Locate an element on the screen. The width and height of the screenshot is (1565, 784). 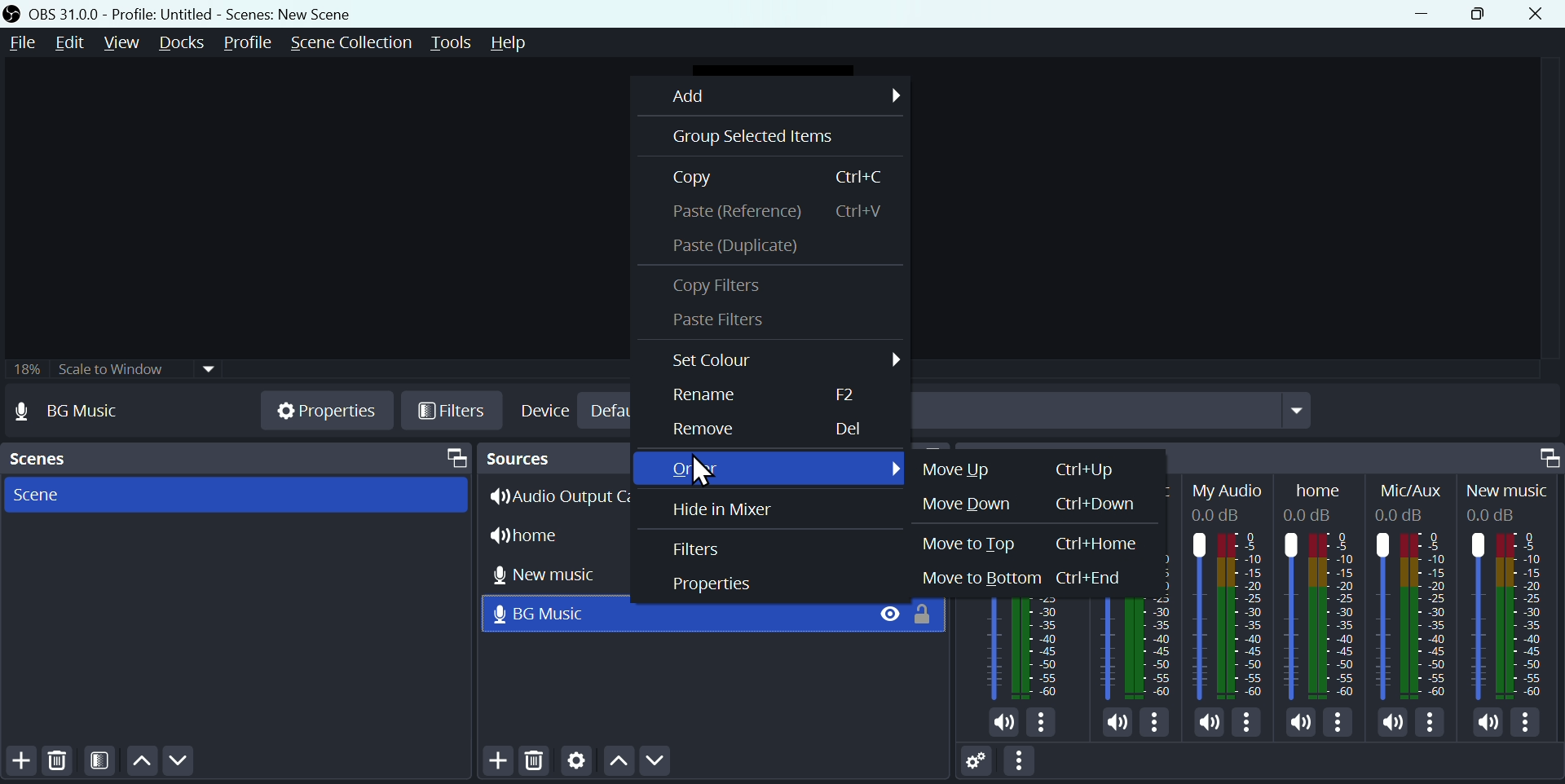
Move up is located at coordinates (1021, 472).